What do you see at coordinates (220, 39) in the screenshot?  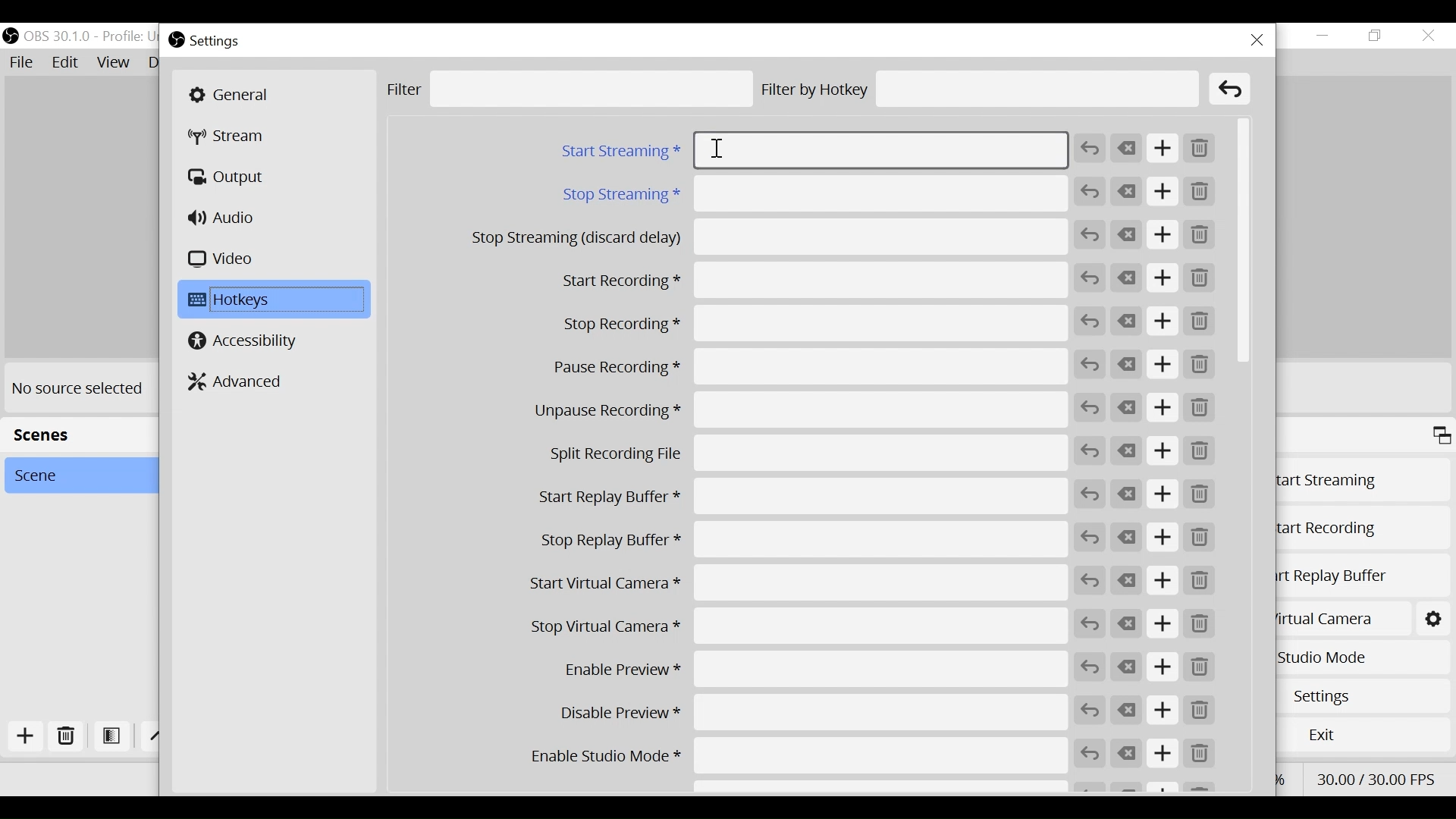 I see `Settings` at bounding box center [220, 39].